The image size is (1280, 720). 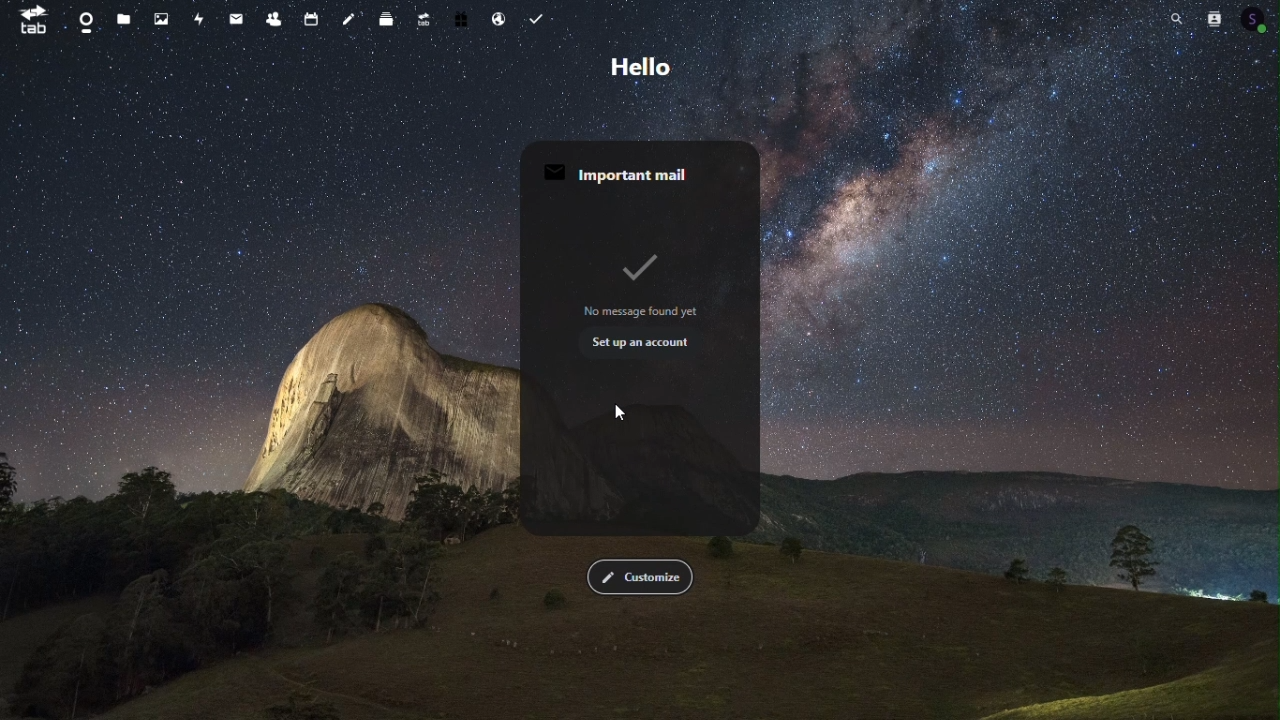 I want to click on Contacts, so click(x=272, y=18).